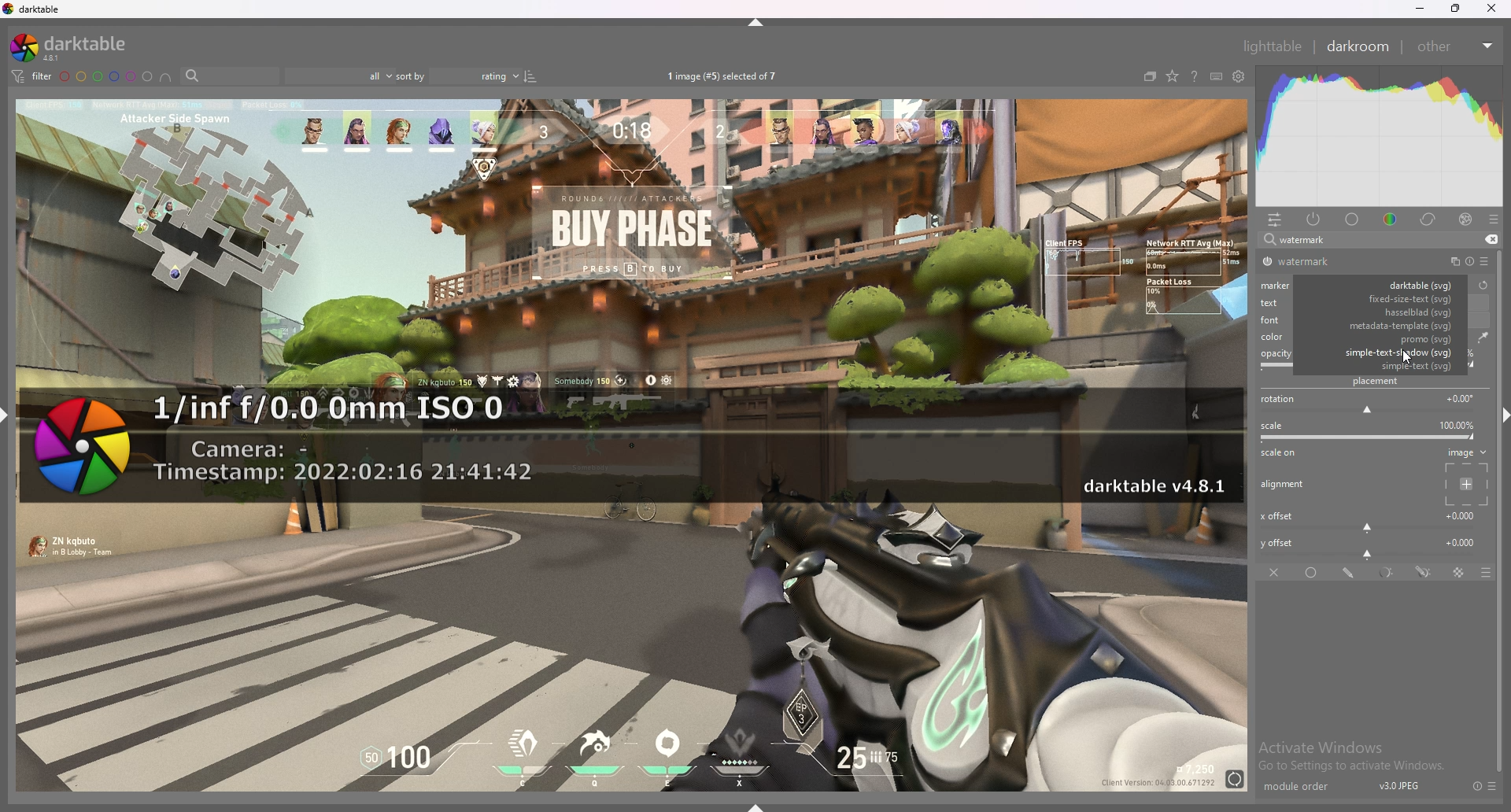  Describe the element at coordinates (1386, 286) in the screenshot. I see `darktable svg` at that location.